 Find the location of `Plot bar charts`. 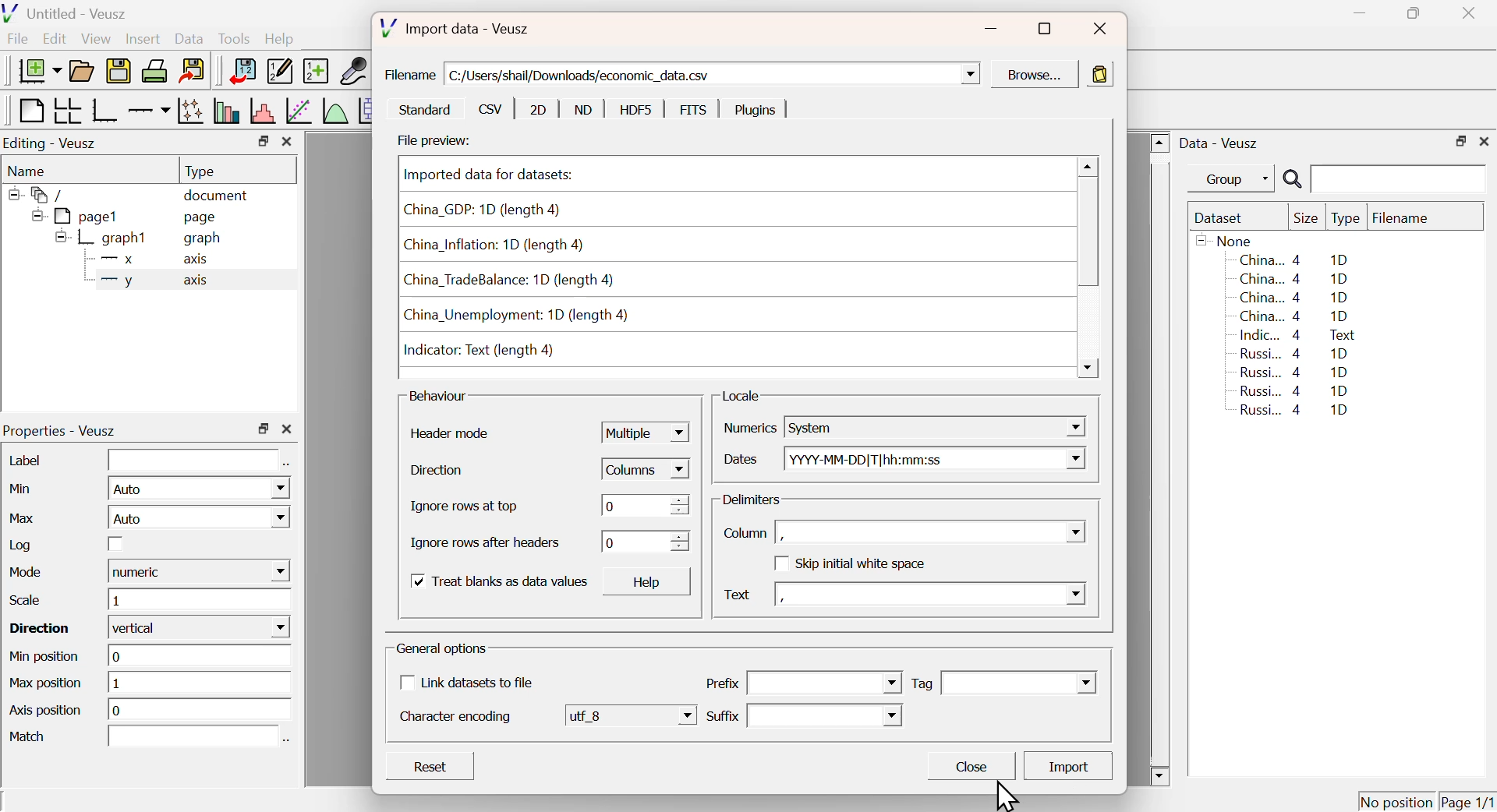

Plot bar charts is located at coordinates (226, 111).